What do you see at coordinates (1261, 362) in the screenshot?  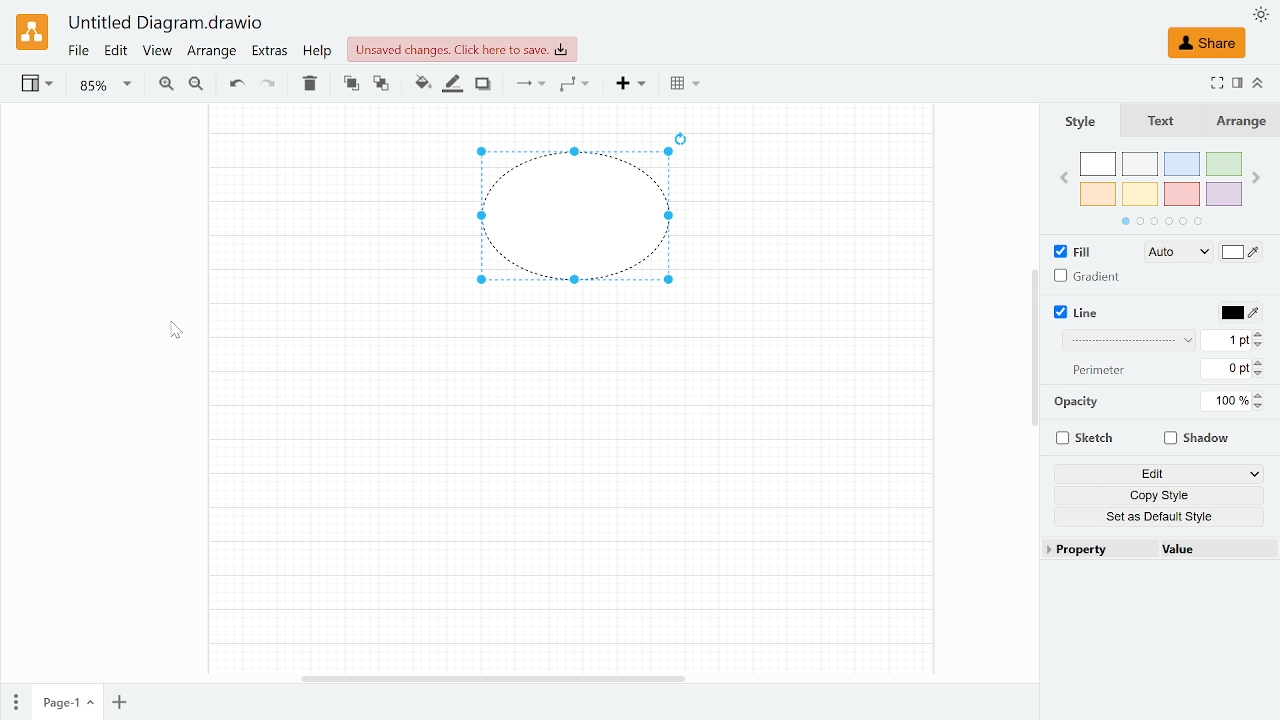 I see `Increase perimeter` at bounding box center [1261, 362].